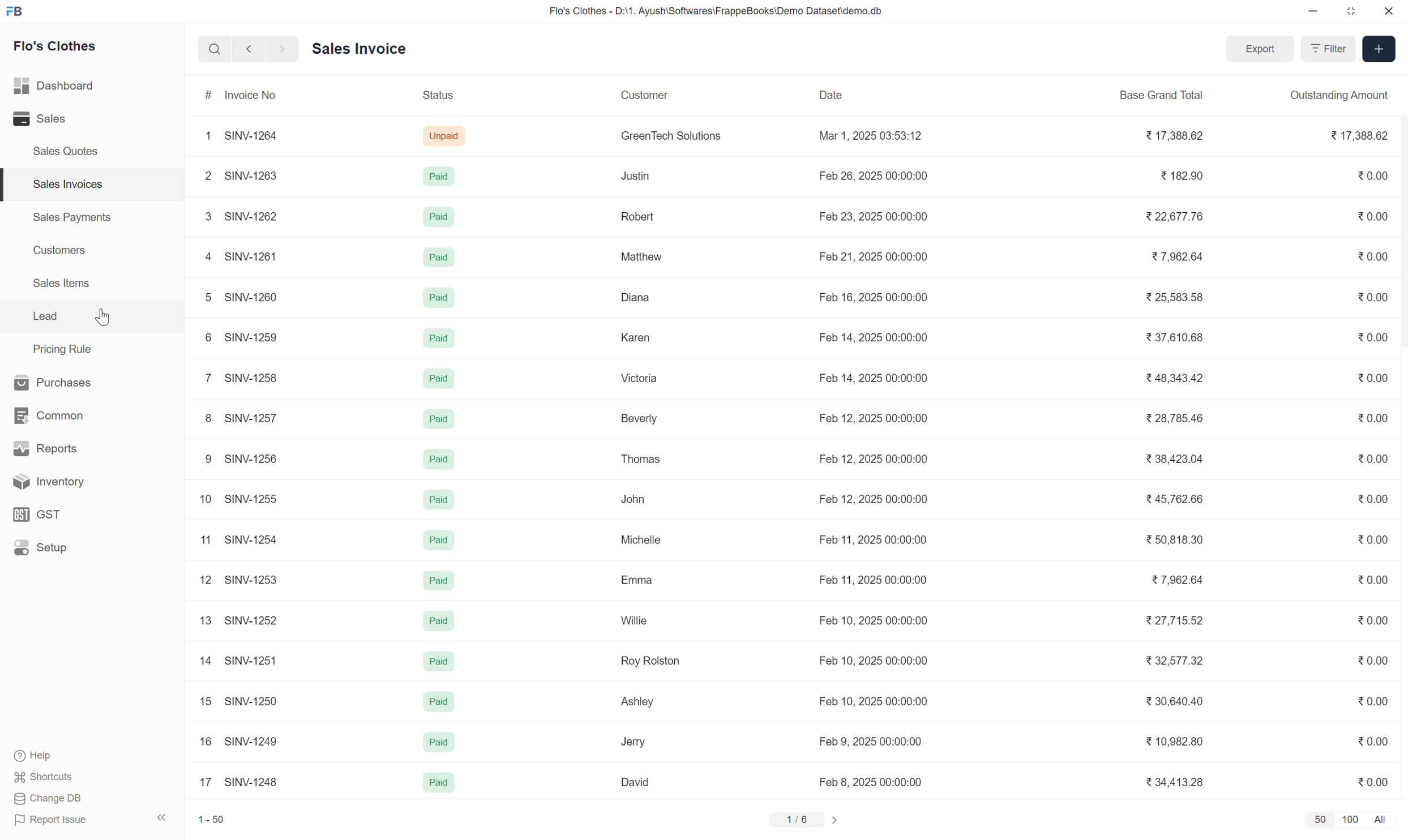 The width and height of the screenshot is (1408, 840). I want to click on Setup, so click(41, 548).